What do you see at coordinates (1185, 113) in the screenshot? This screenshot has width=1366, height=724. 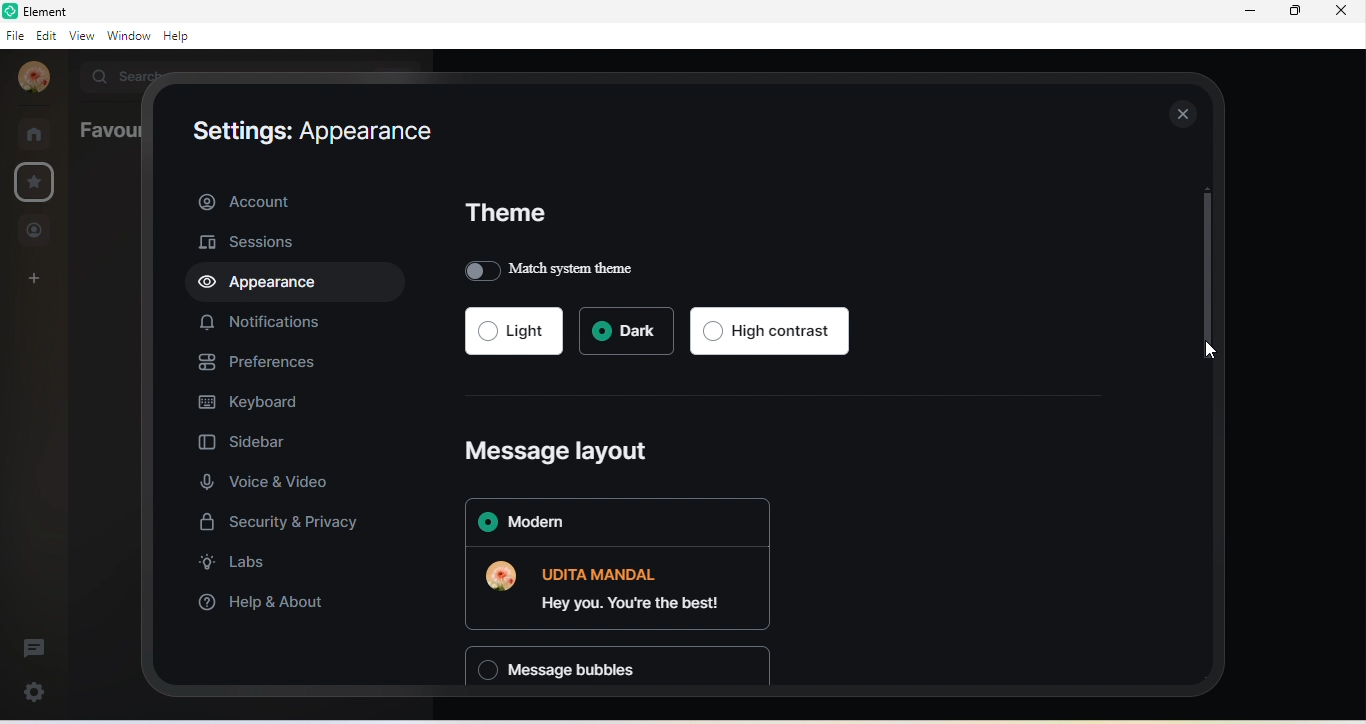 I see `close` at bounding box center [1185, 113].